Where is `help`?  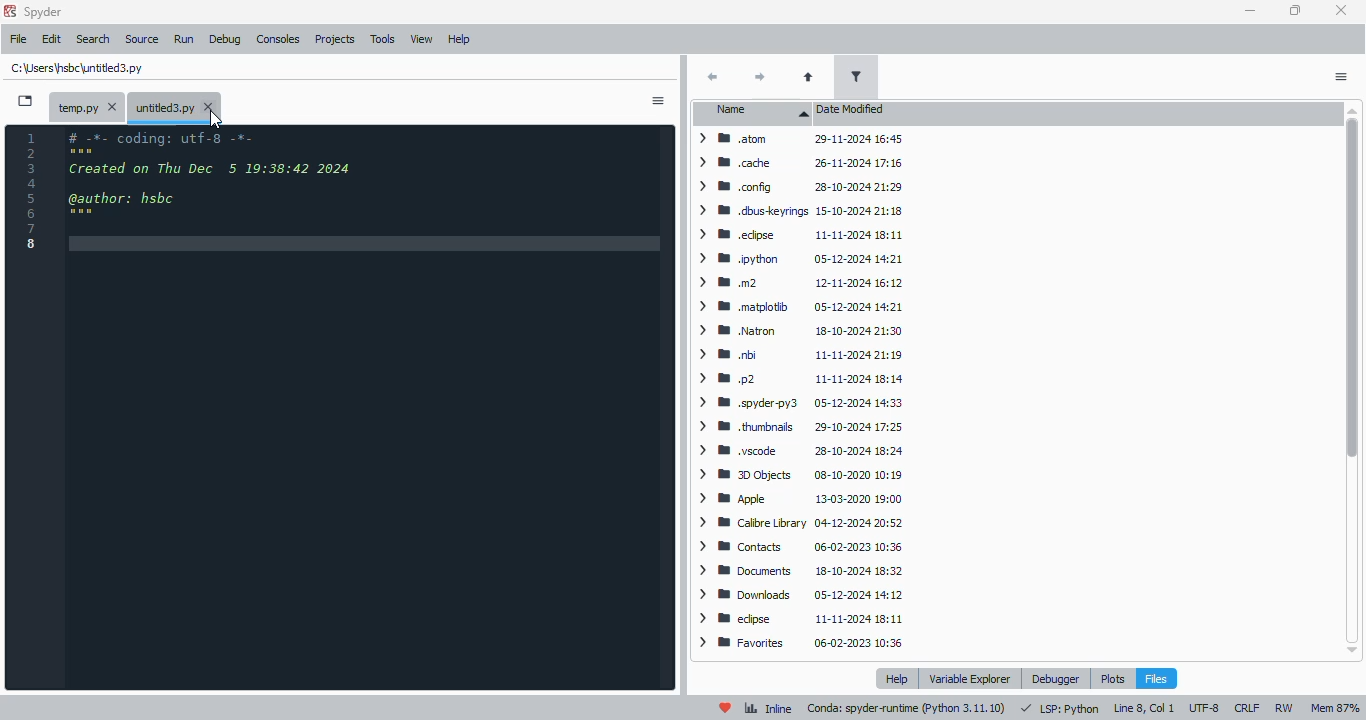 help is located at coordinates (459, 40).